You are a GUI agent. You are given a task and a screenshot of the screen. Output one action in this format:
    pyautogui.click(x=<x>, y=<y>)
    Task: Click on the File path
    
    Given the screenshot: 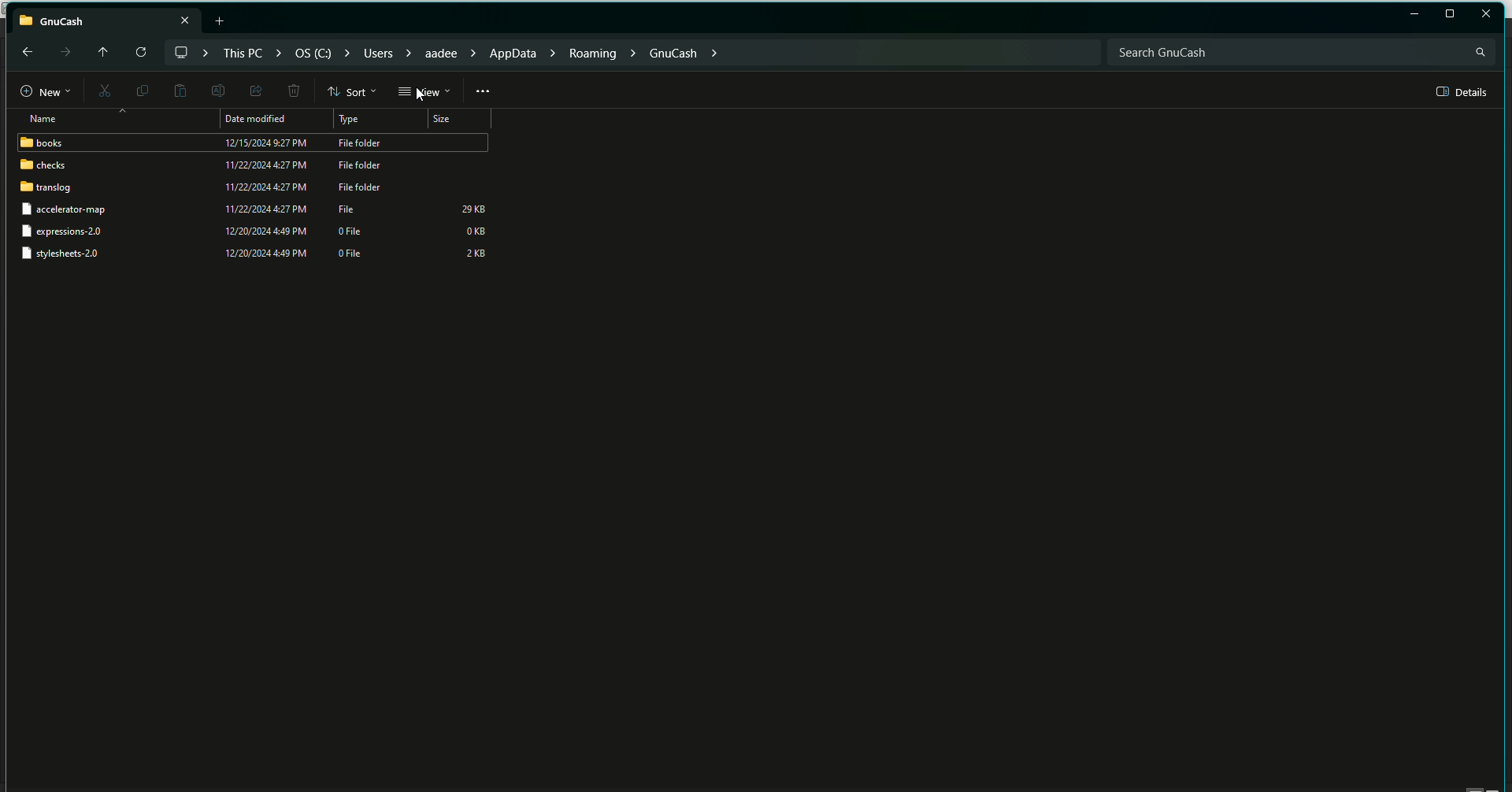 What is the action you would take?
    pyautogui.click(x=448, y=51)
    